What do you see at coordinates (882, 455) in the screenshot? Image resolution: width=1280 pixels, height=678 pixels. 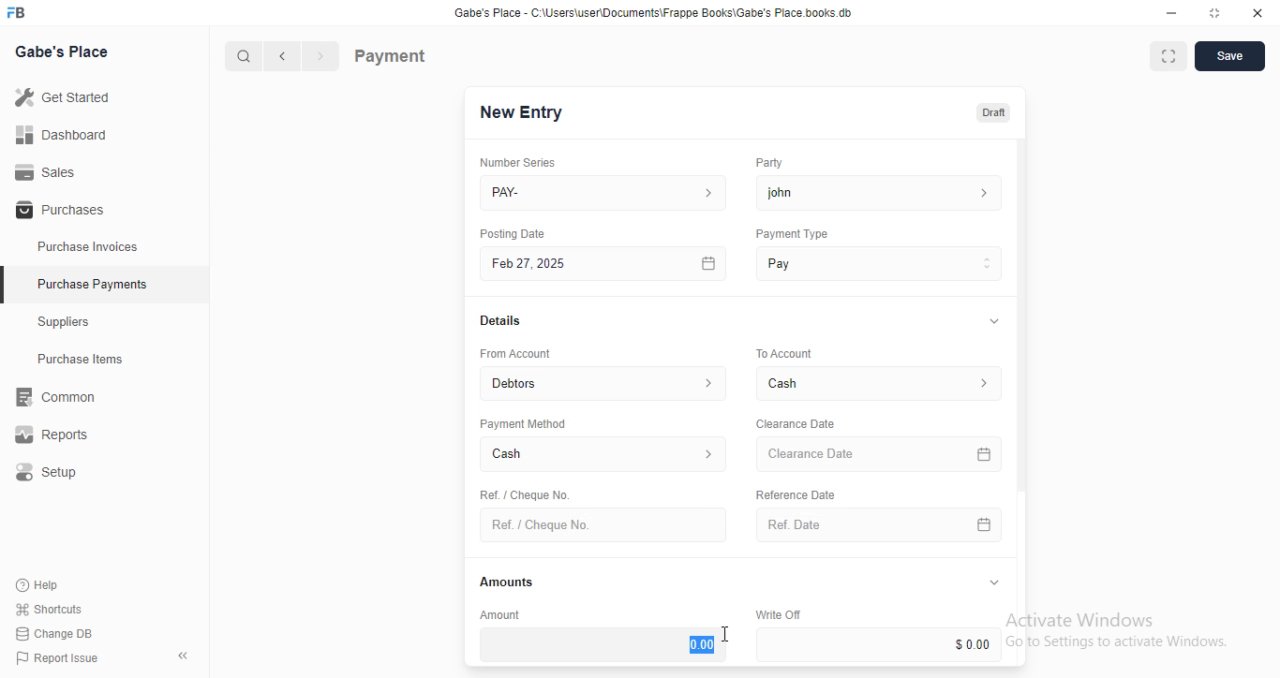 I see `Clearance Date` at bounding box center [882, 455].